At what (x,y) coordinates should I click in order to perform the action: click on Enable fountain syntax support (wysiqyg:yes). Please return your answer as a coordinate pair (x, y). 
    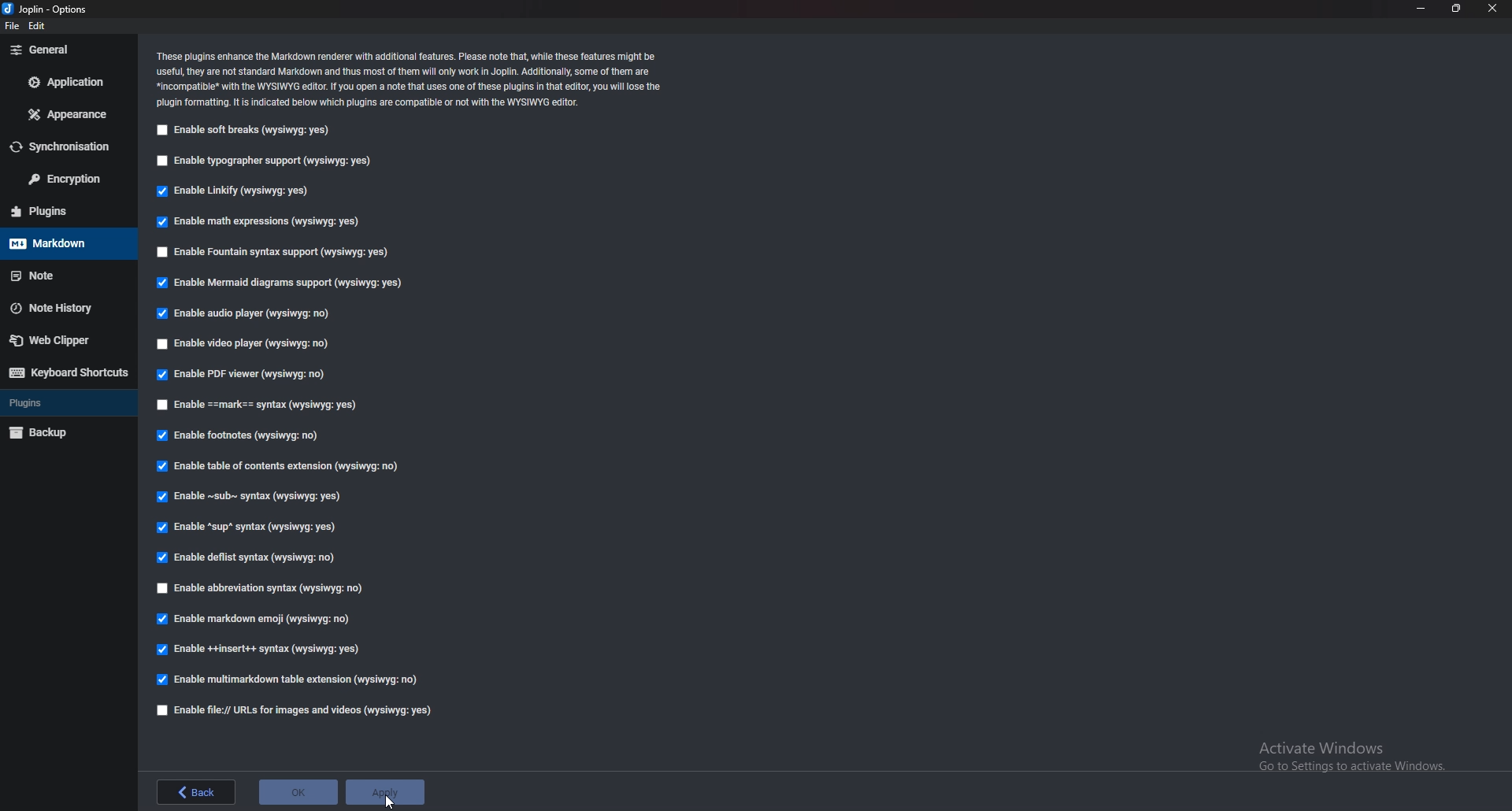
    Looking at the image, I should click on (277, 254).